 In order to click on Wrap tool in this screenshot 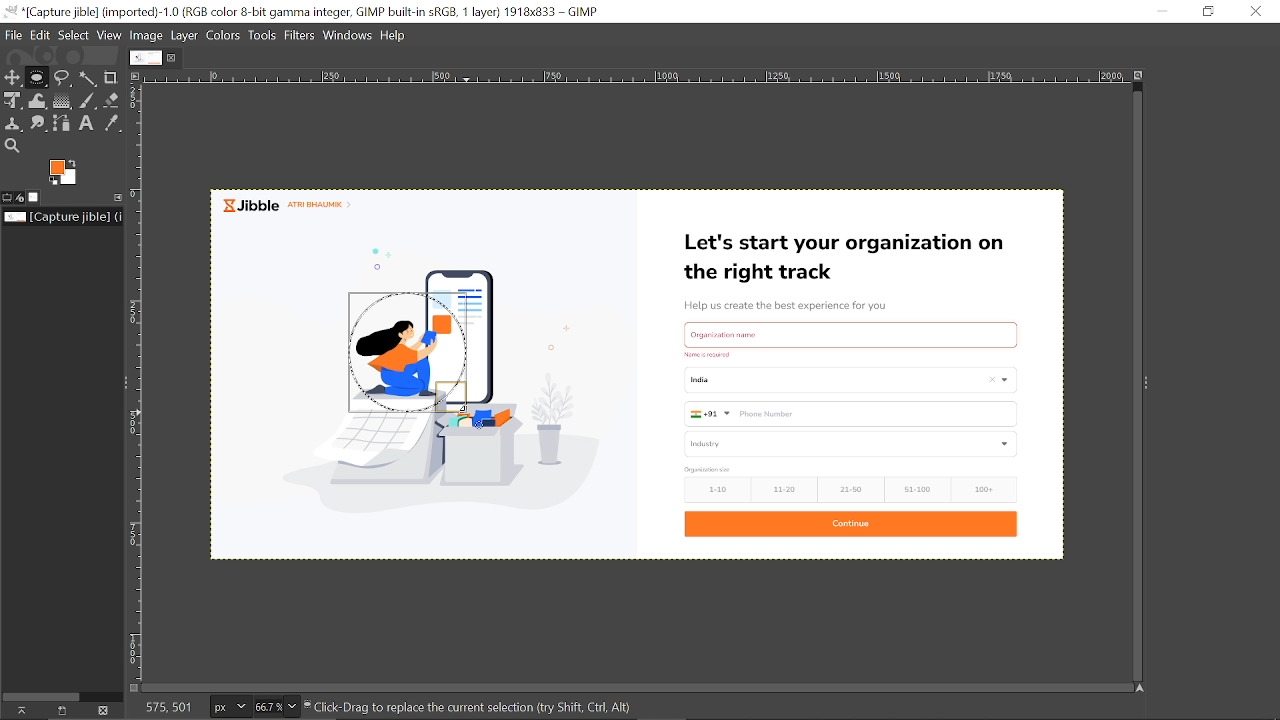, I will do `click(38, 100)`.